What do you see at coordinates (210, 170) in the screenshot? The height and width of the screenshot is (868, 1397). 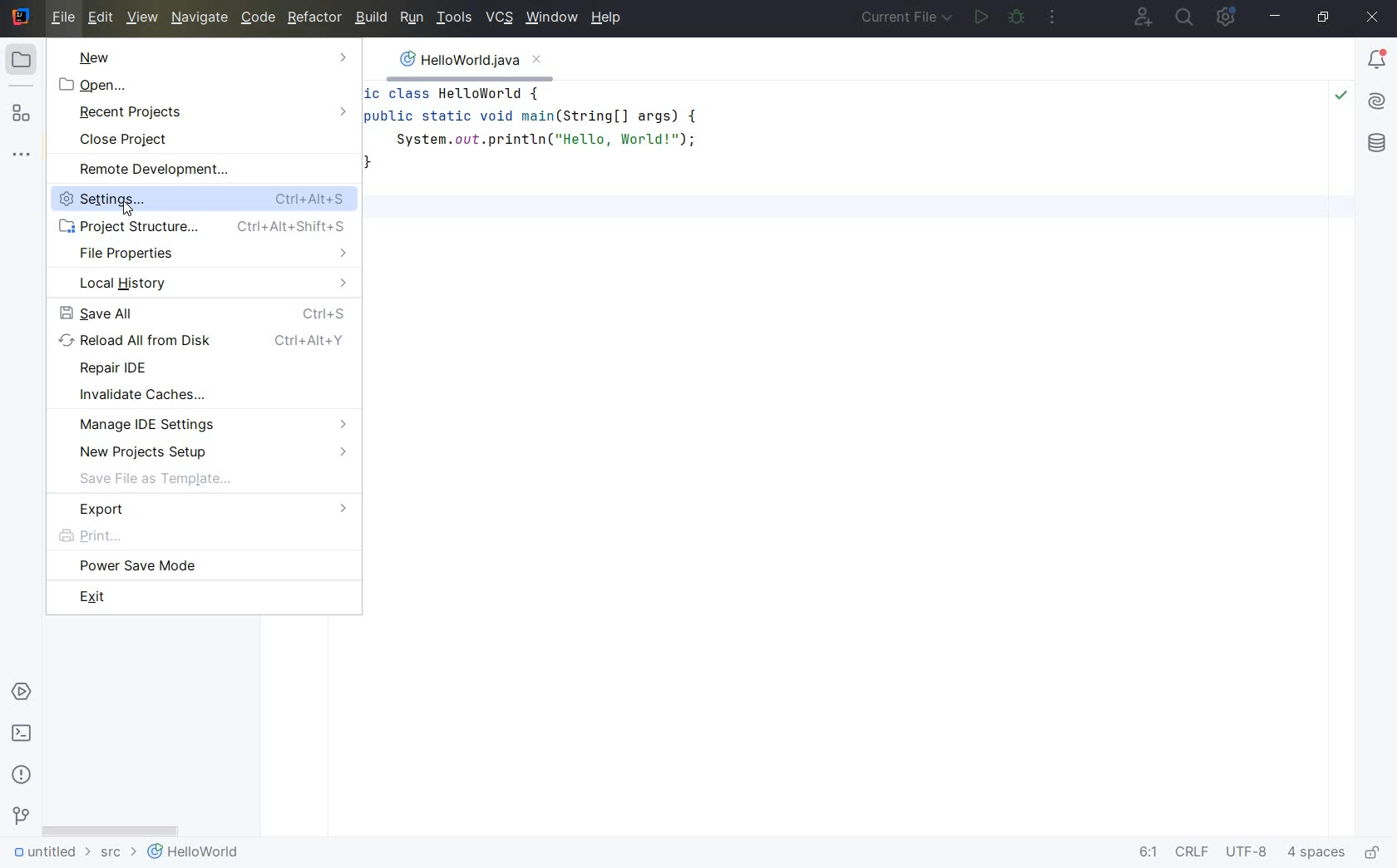 I see `REMOTE DEVELOPMENT` at bounding box center [210, 170].